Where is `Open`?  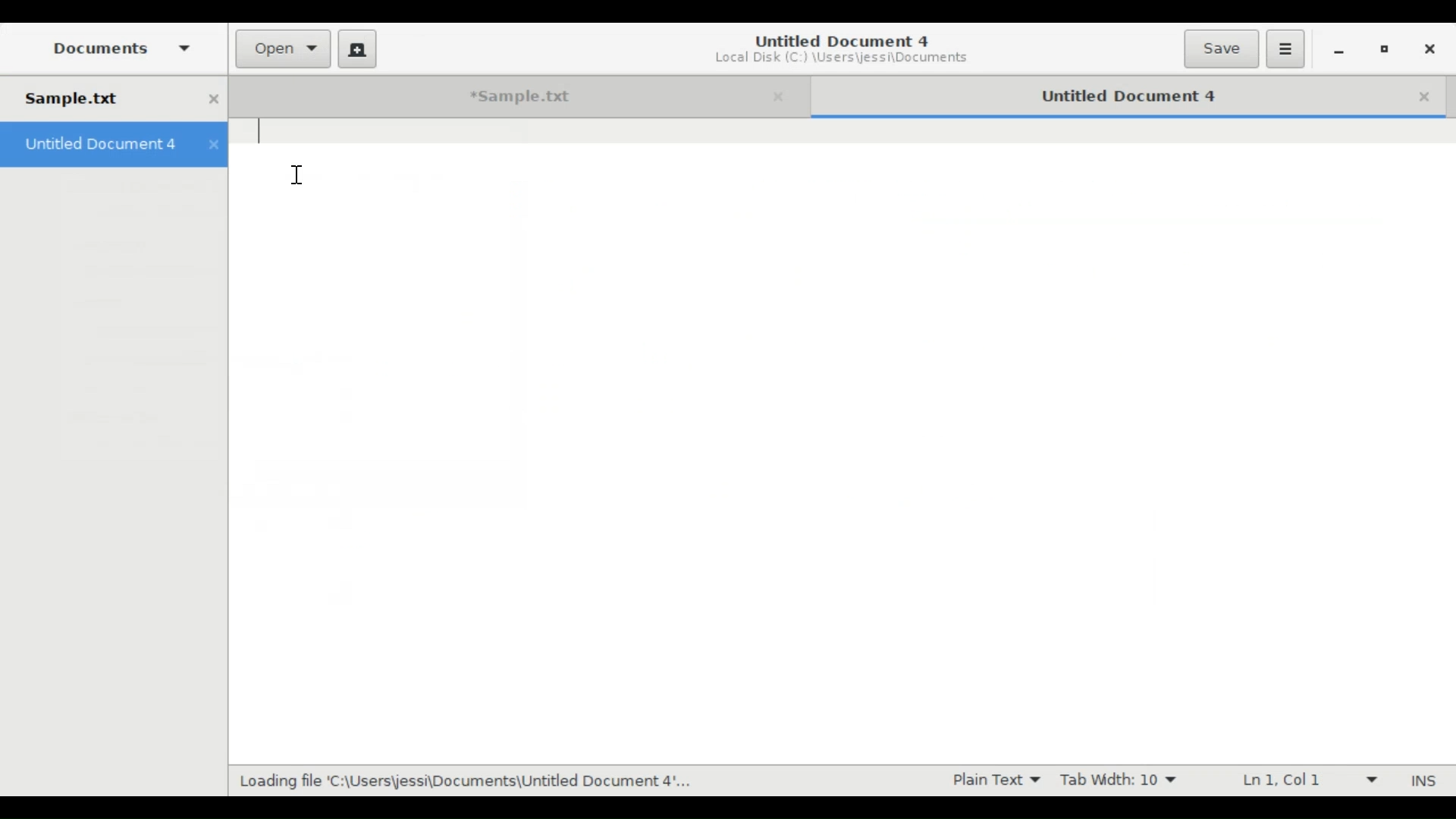
Open is located at coordinates (284, 49).